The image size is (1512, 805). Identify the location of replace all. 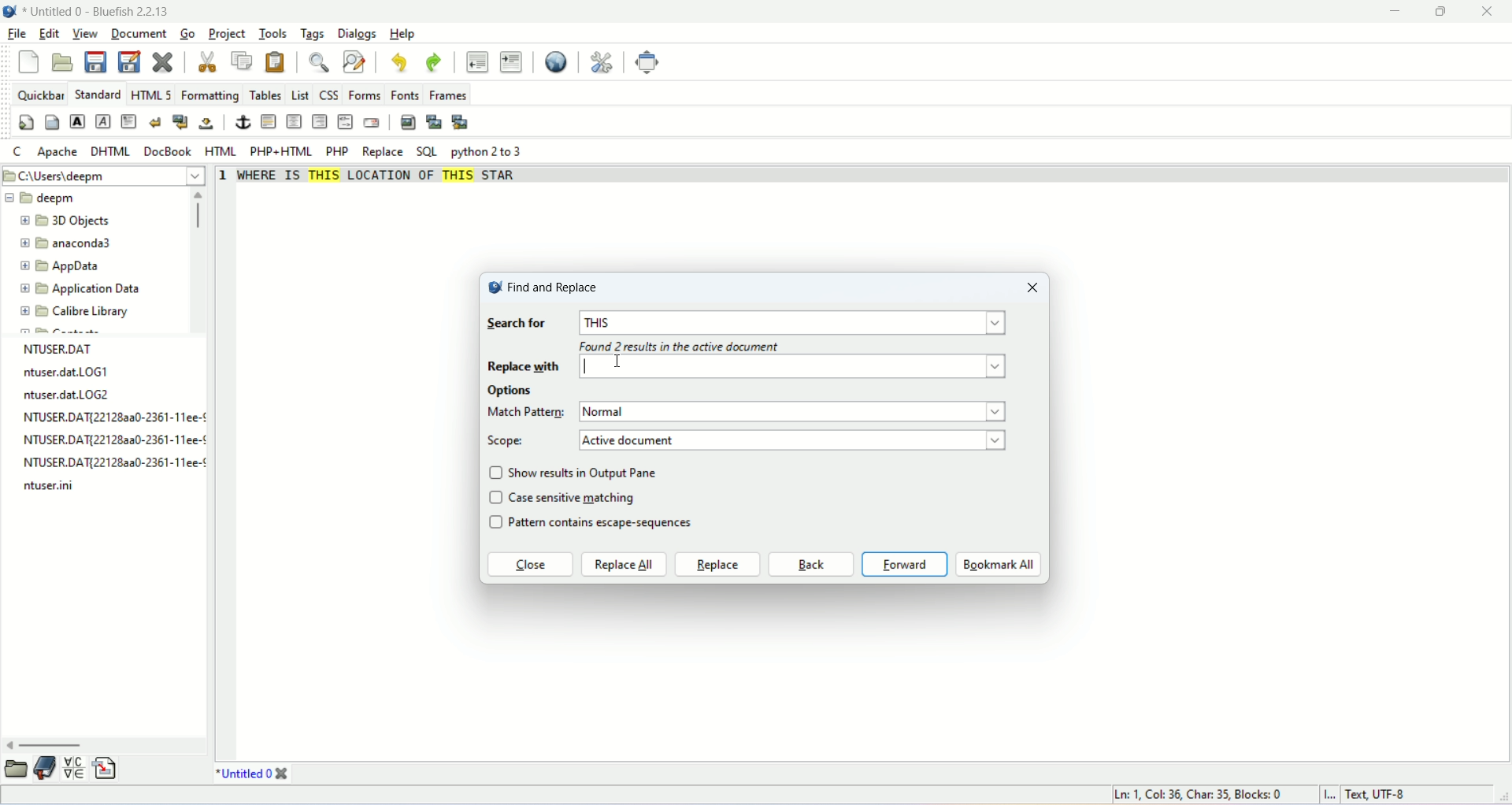
(624, 565).